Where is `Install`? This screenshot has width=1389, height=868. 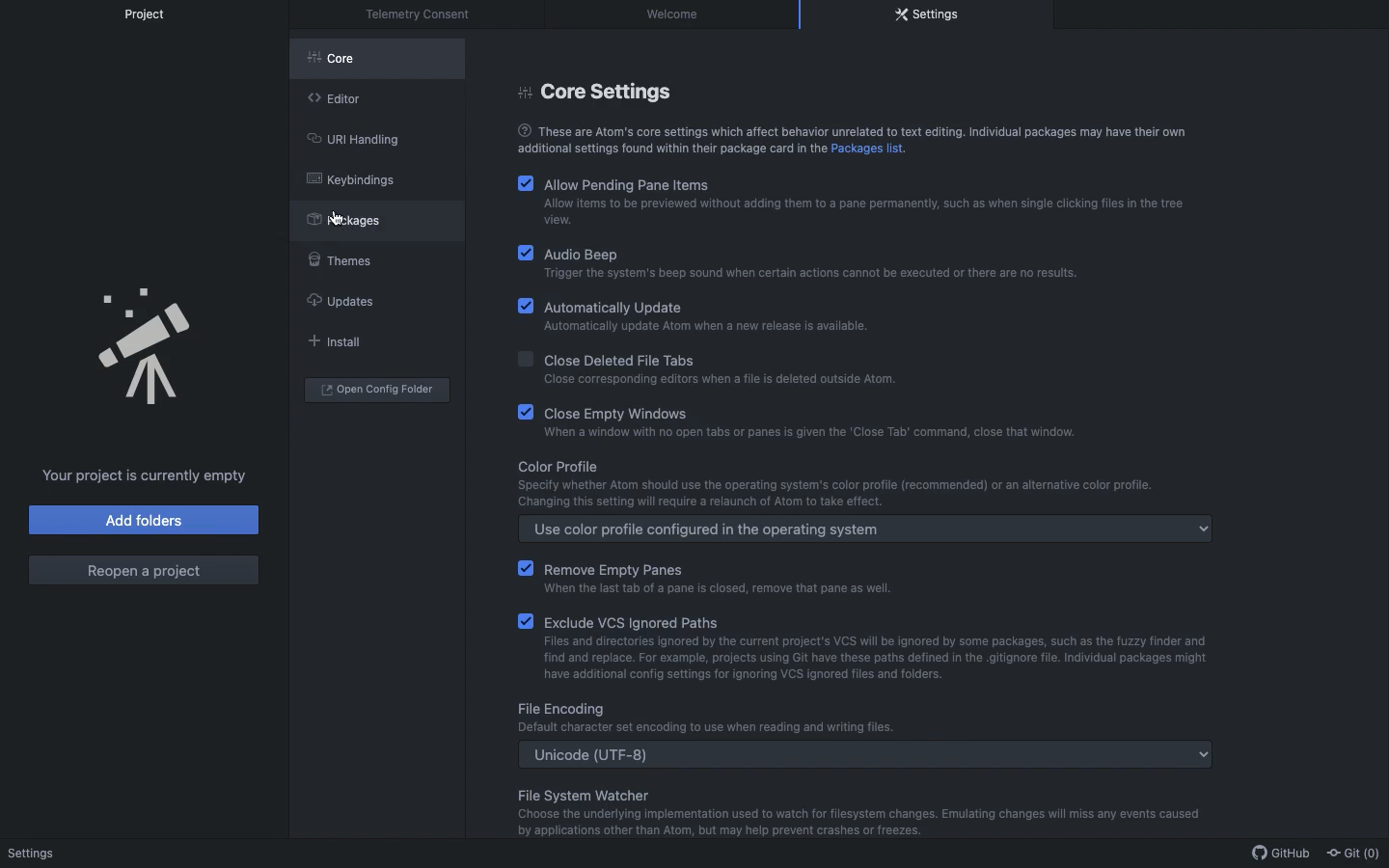 Install is located at coordinates (332, 340).